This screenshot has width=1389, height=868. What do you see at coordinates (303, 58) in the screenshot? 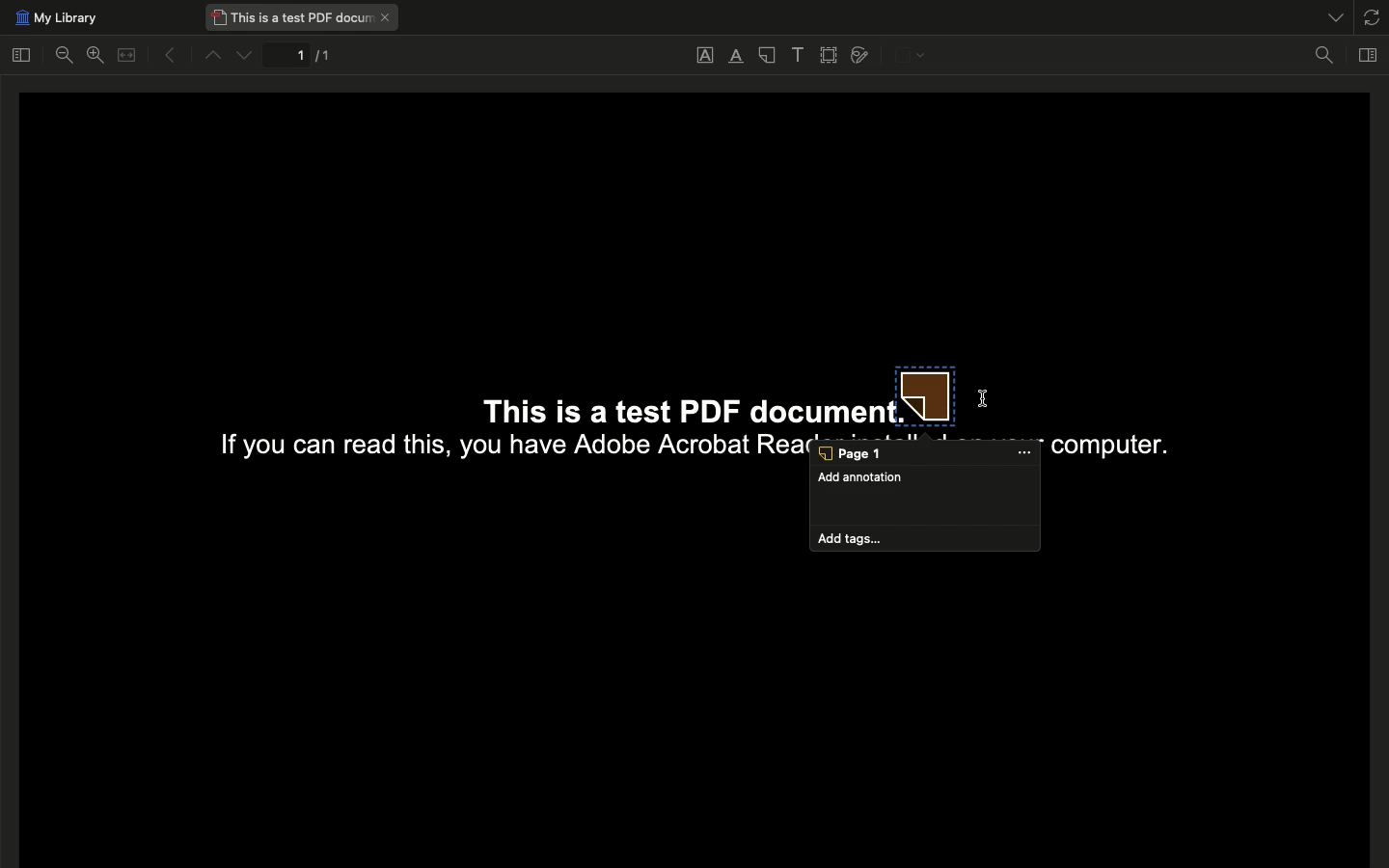
I see `1/1` at bounding box center [303, 58].